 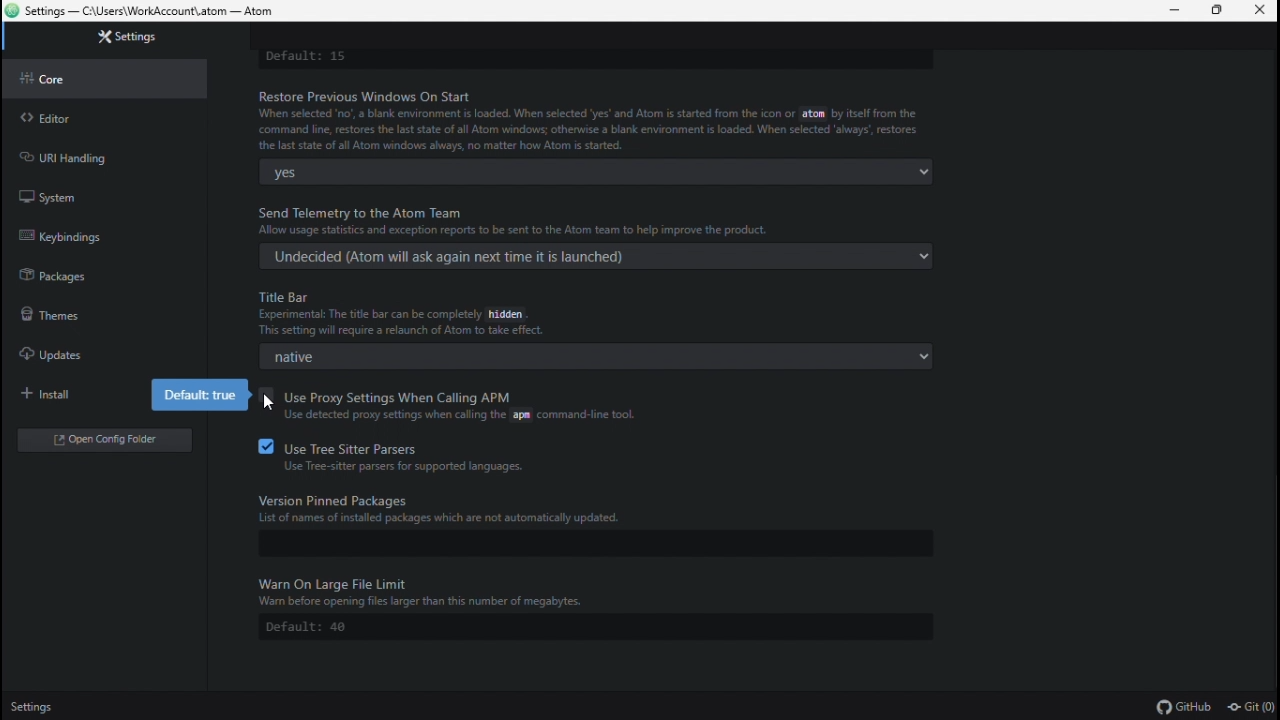 I want to click on checkbox, so click(x=262, y=446).